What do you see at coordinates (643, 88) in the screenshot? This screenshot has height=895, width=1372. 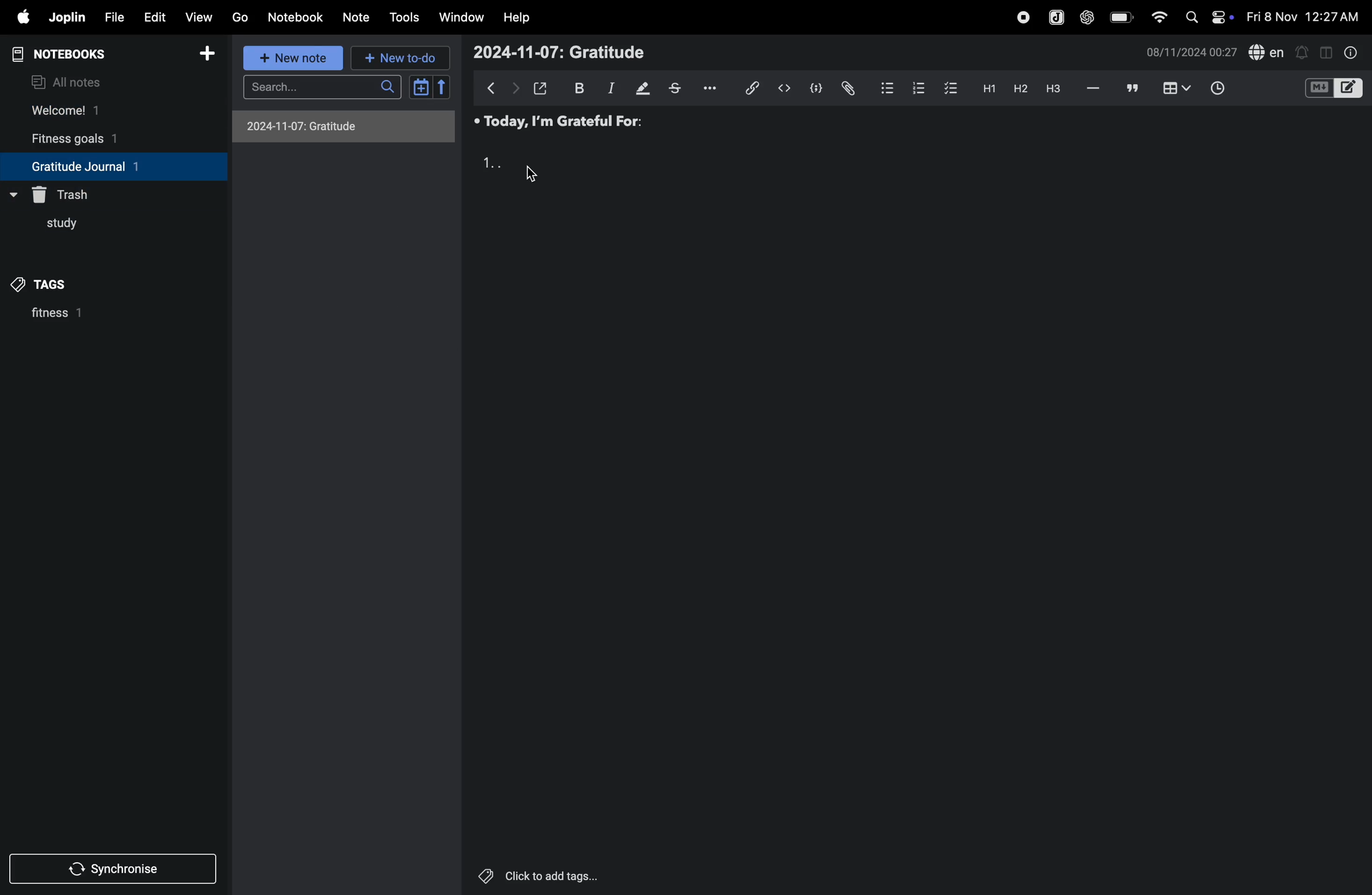 I see `highlight` at bounding box center [643, 88].